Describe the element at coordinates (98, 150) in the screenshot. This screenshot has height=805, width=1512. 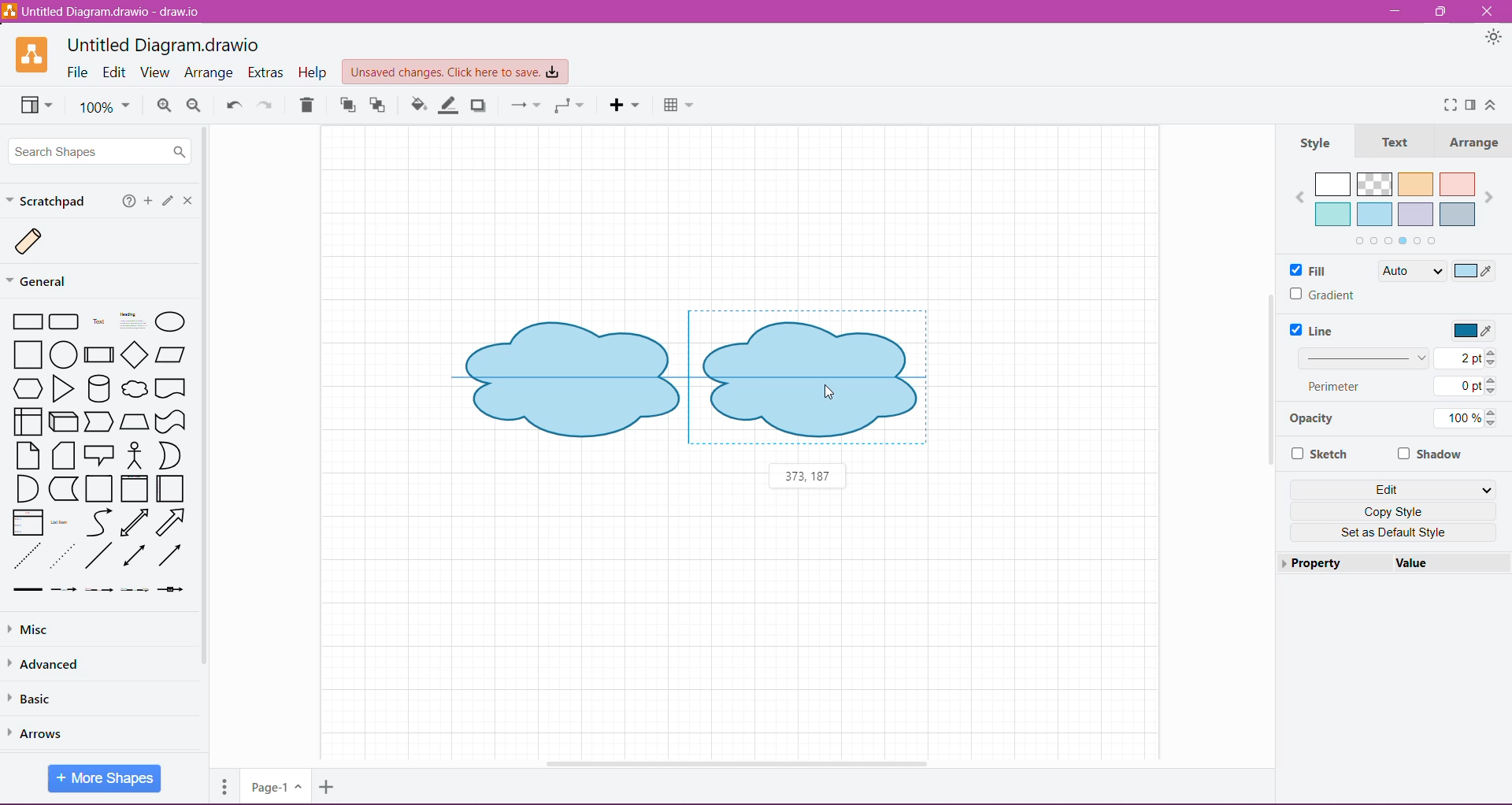
I see `Search Shapes` at that location.